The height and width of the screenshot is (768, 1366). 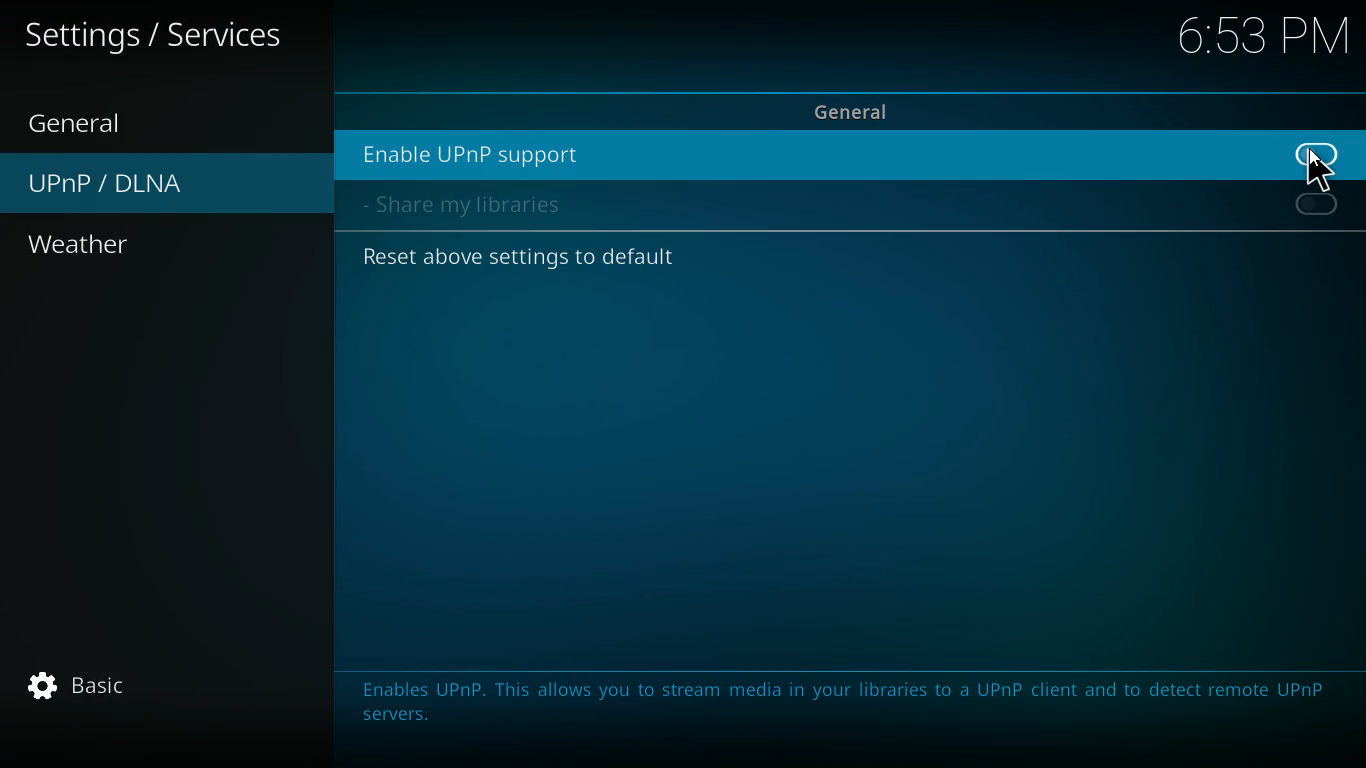 I want to click on general , so click(x=857, y=111).